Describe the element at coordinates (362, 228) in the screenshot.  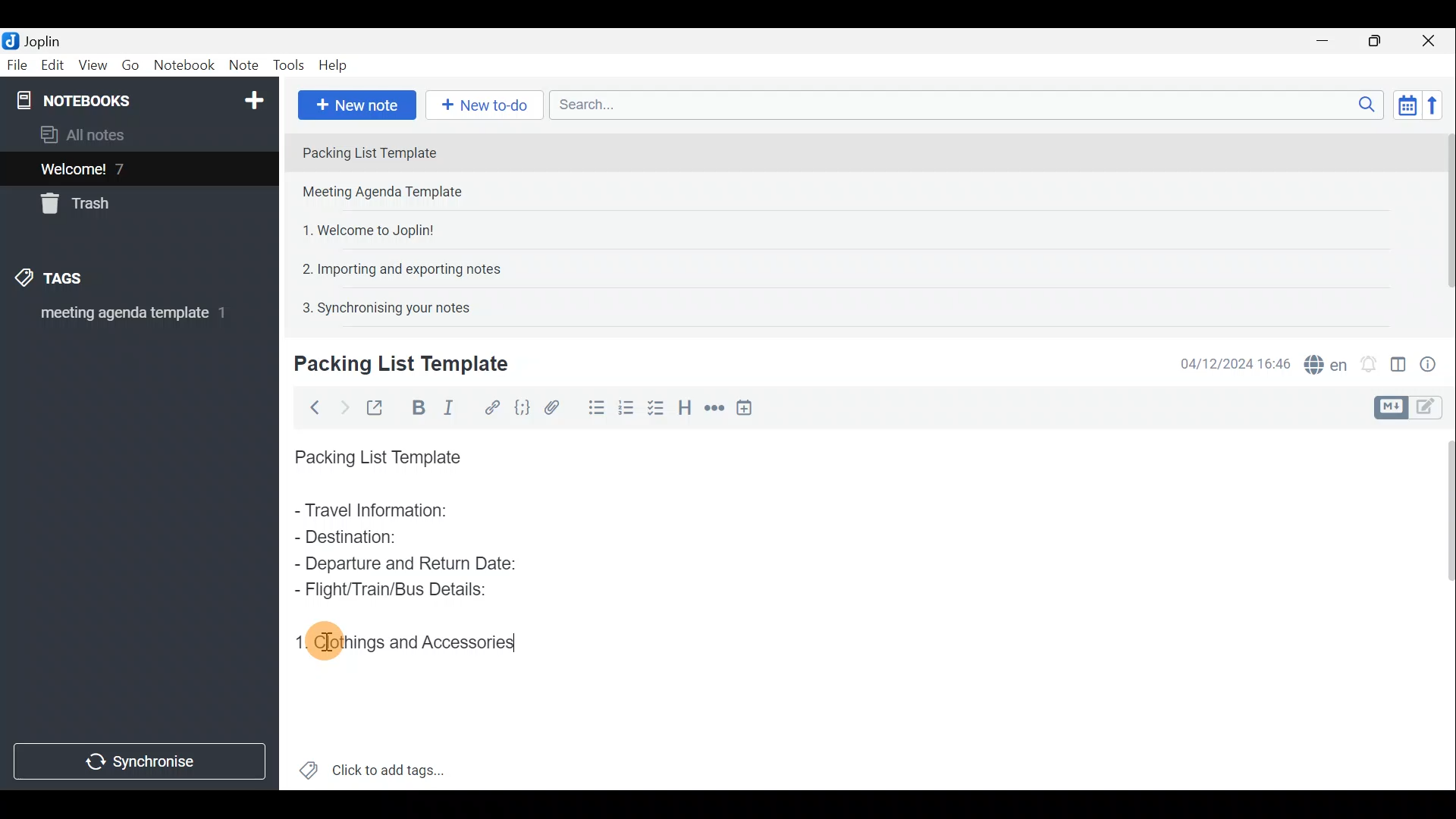
I see `Note 3` at that location.